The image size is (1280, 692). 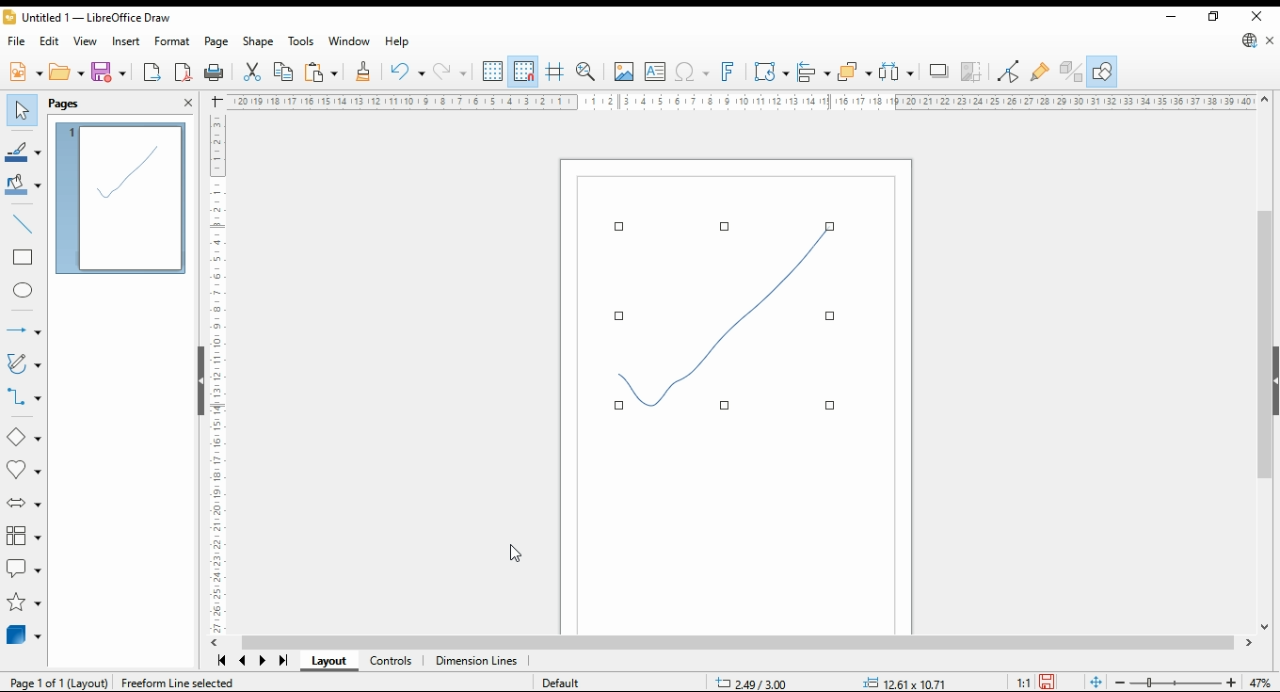 What do you see at coordinates (259, 41) in the screenshot?
I see `shape` at bounding box center [259, 41].